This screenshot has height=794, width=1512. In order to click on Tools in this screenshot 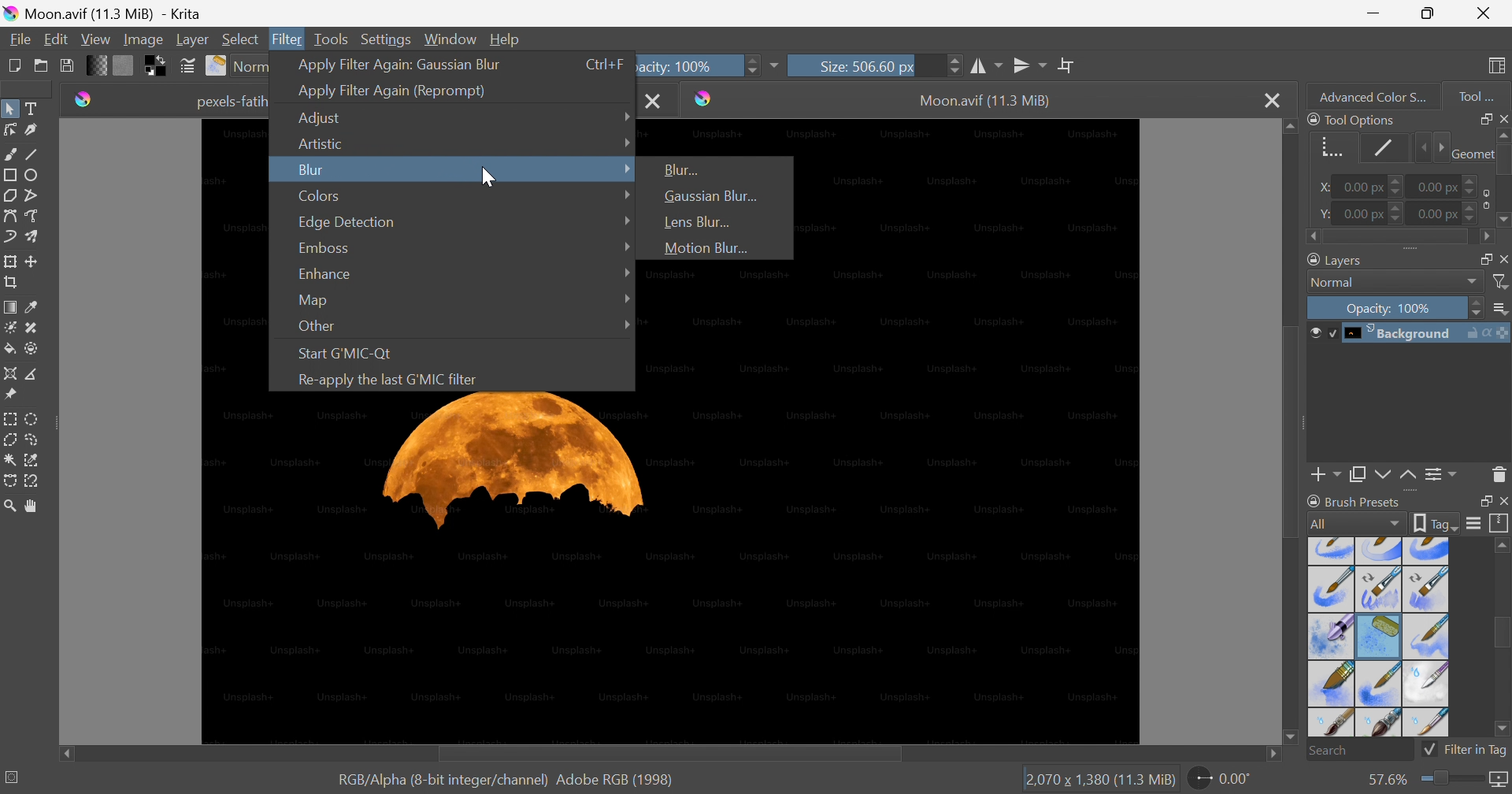, I will do `click(330, 40)`.